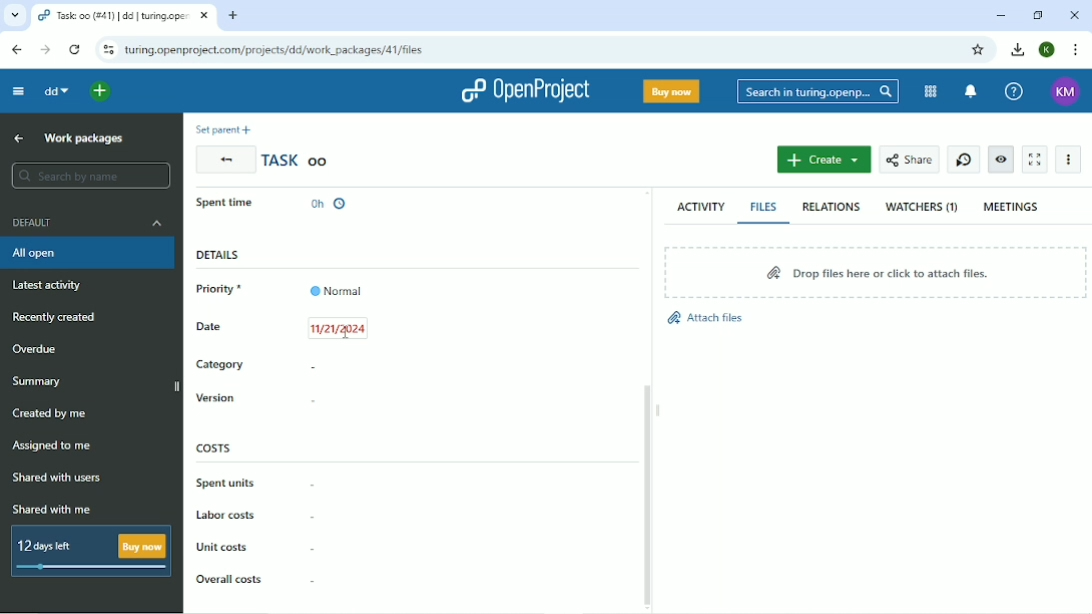  I want to click on Work packages, so click(82, 138).